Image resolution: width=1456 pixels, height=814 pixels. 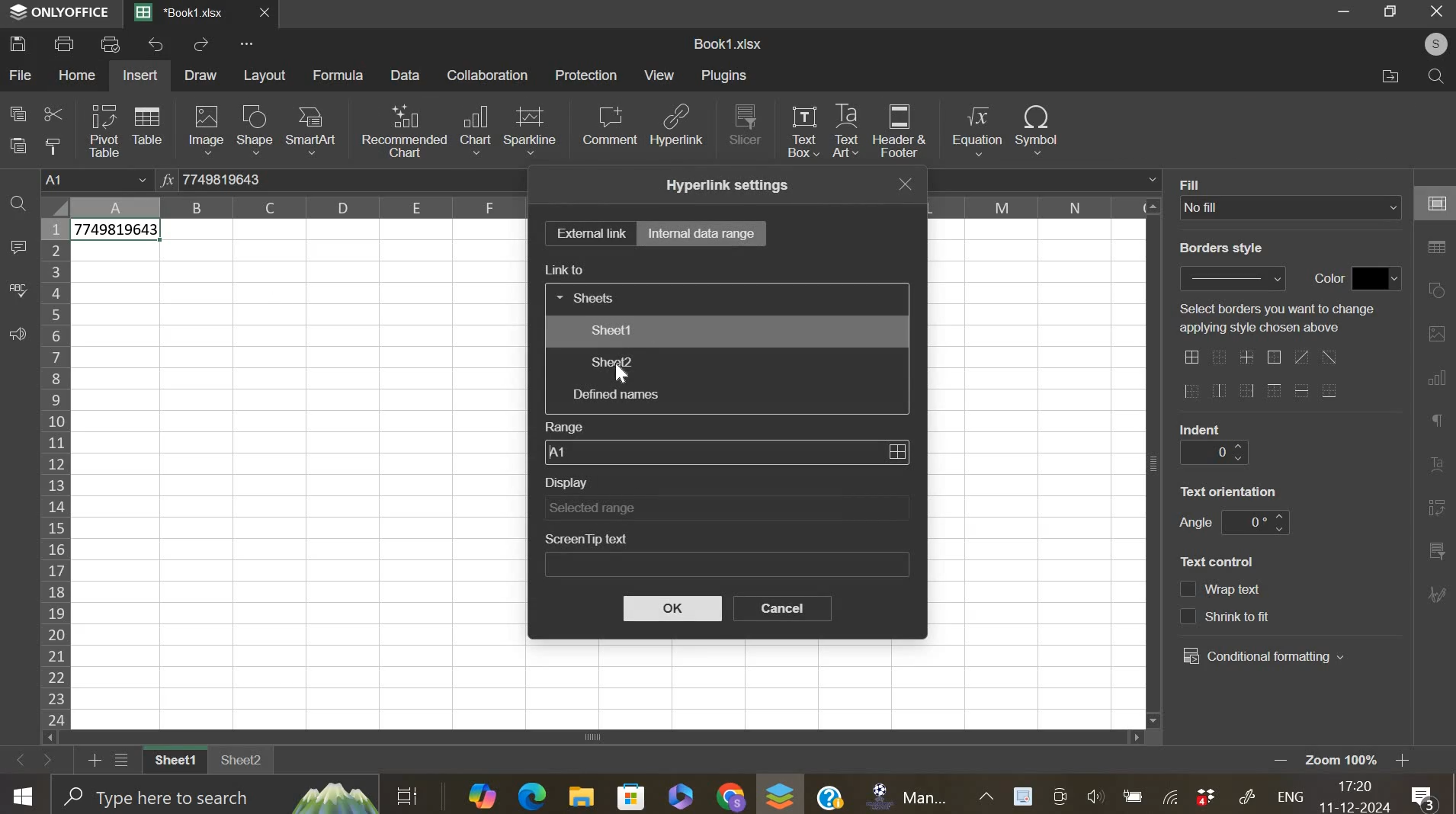 What do you see at coordinates (242, 180) in the screenshot?
I see `formula bar` at bounding box center [242, 180].